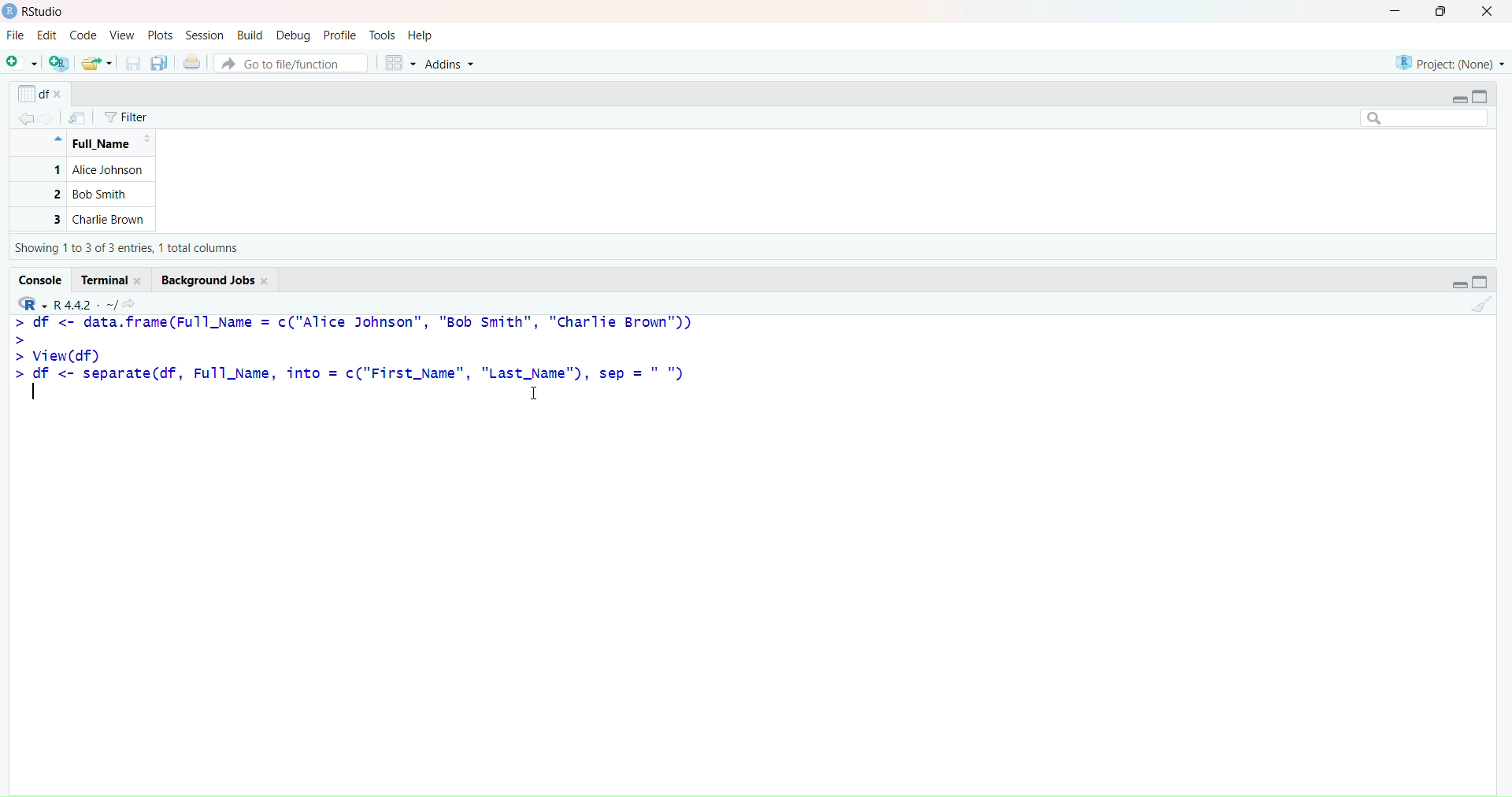  I want to click on View, so click(124, 34).